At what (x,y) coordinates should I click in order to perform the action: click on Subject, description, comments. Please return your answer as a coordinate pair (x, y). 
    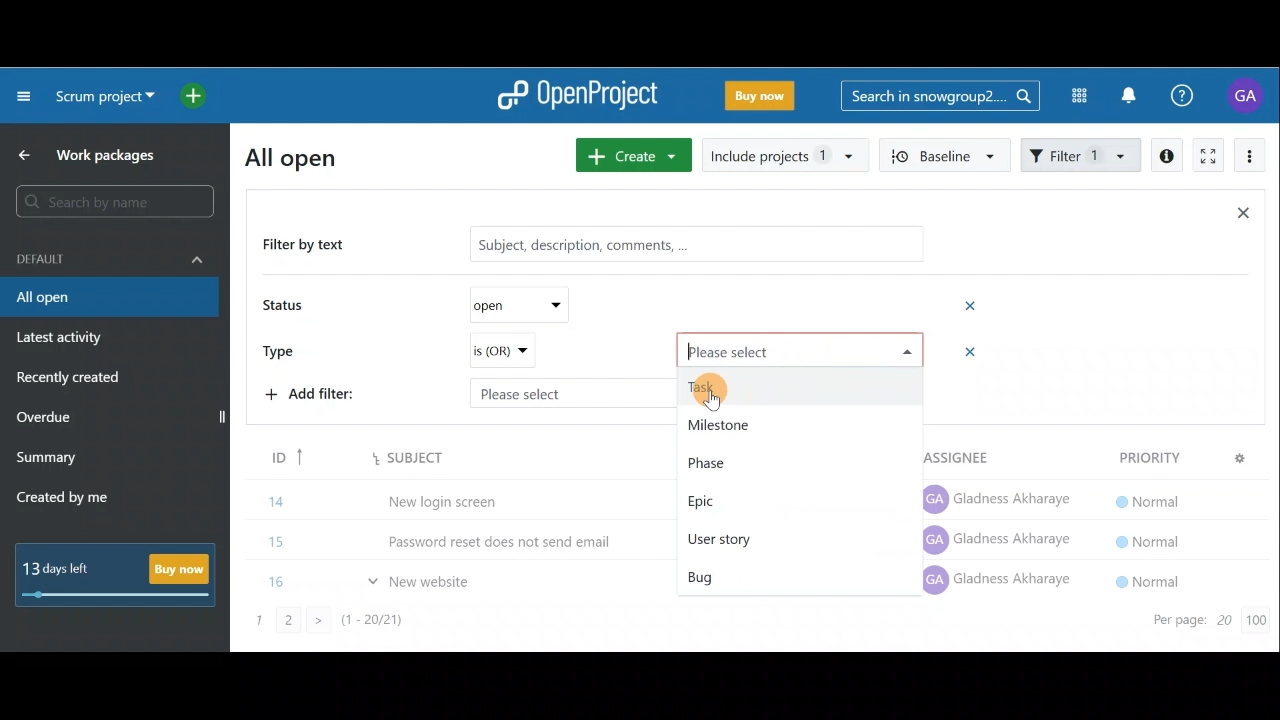
    Looking at the image, I should click on (688, 247).